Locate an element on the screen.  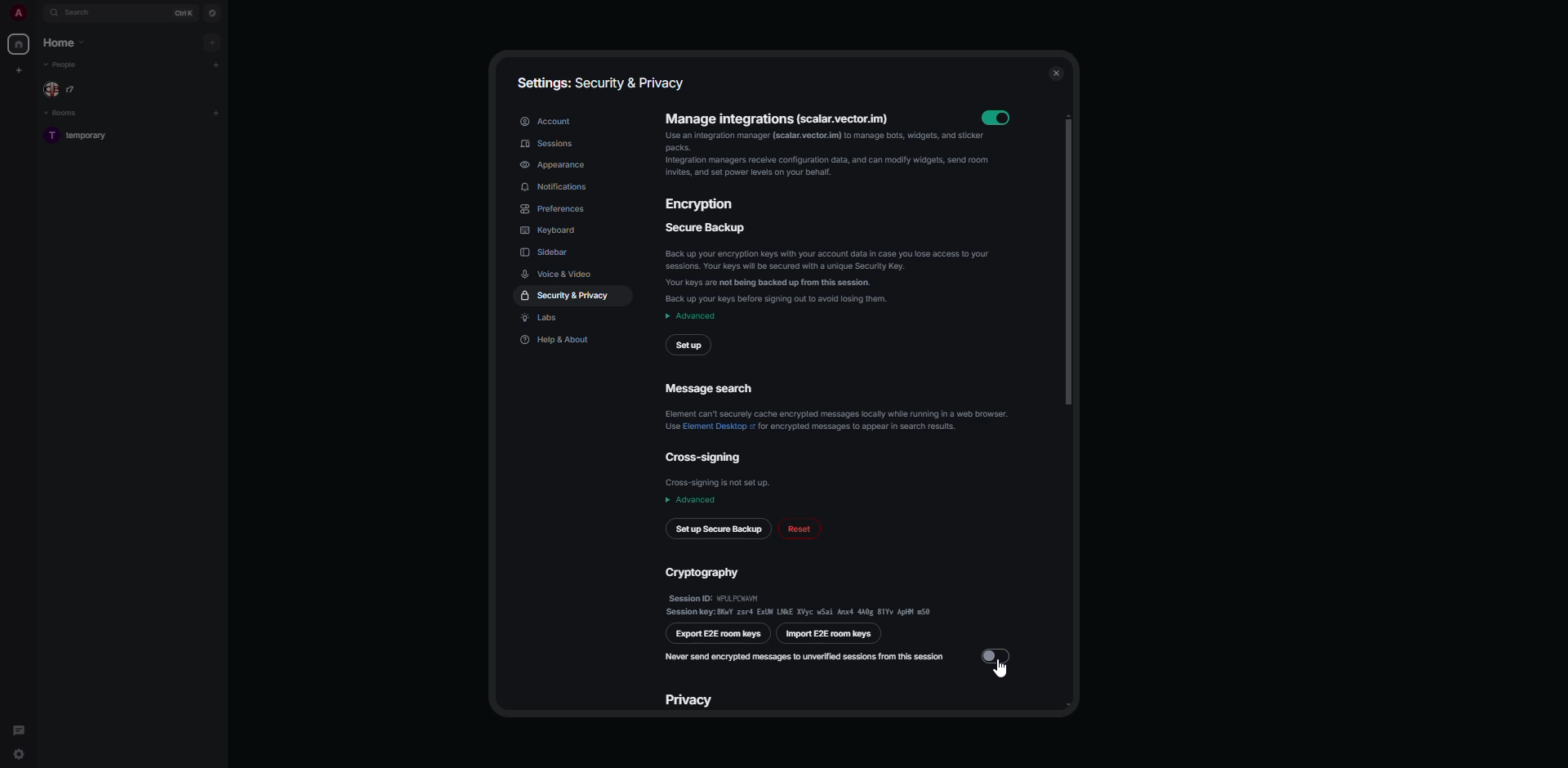
people is located at coordinates (64, 89).